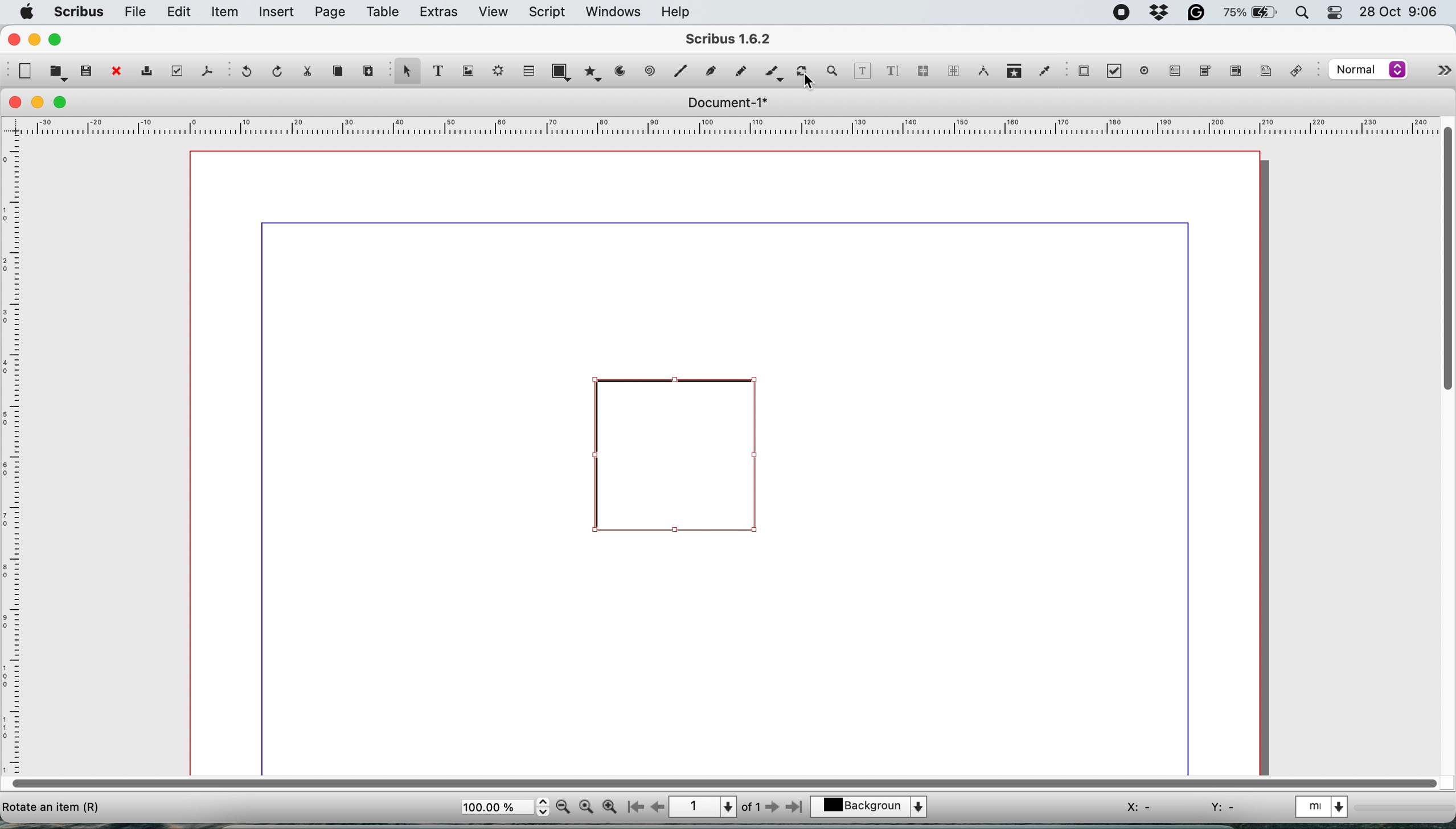  What do you see at coordinates (1197, 13) in the screenshot?
I see `grammarly` at bounding box center [1197, 13].